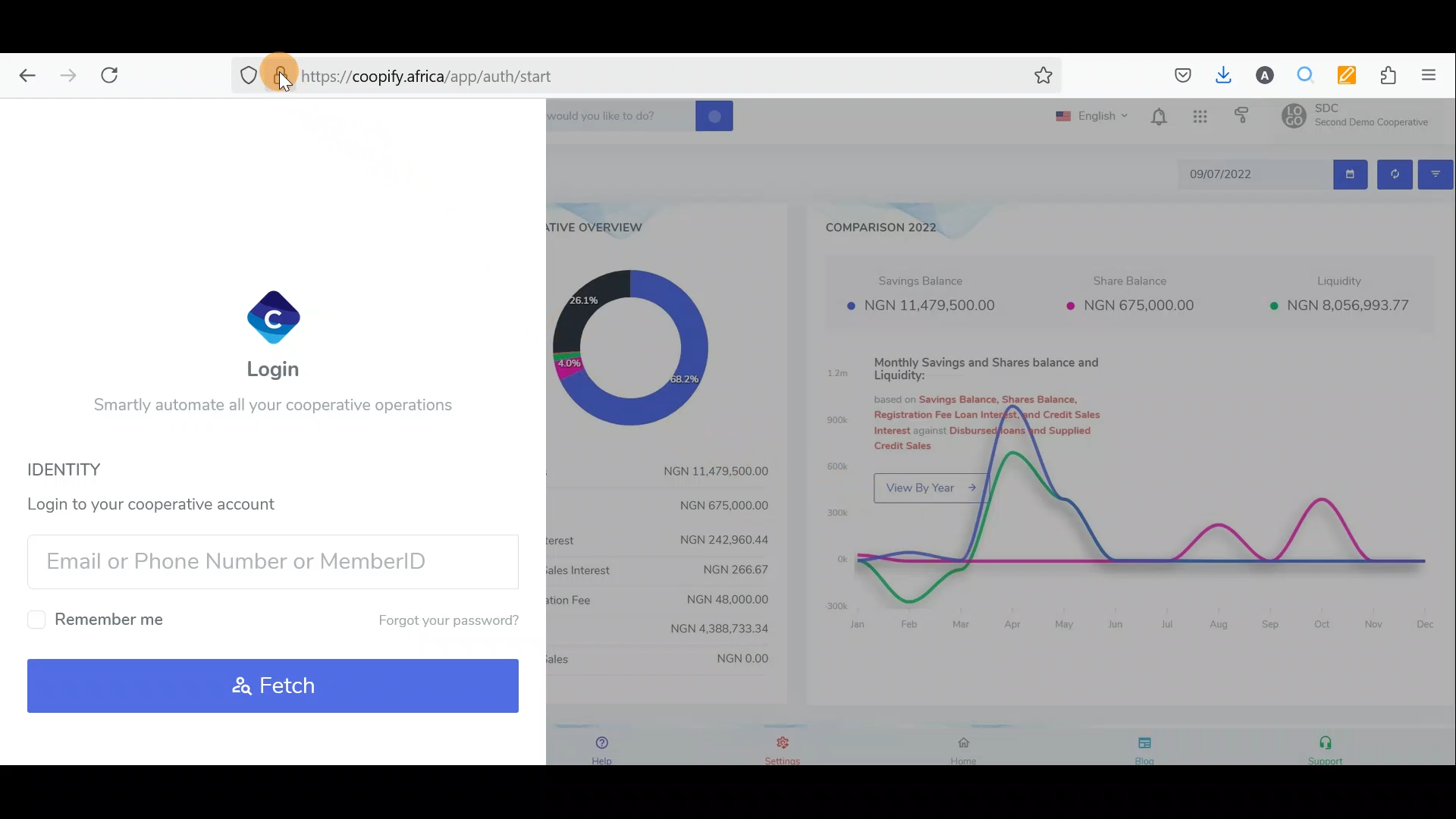  Describe the element at coordinates (275, 686) in the screenshot. I see `Fetch` at that location.